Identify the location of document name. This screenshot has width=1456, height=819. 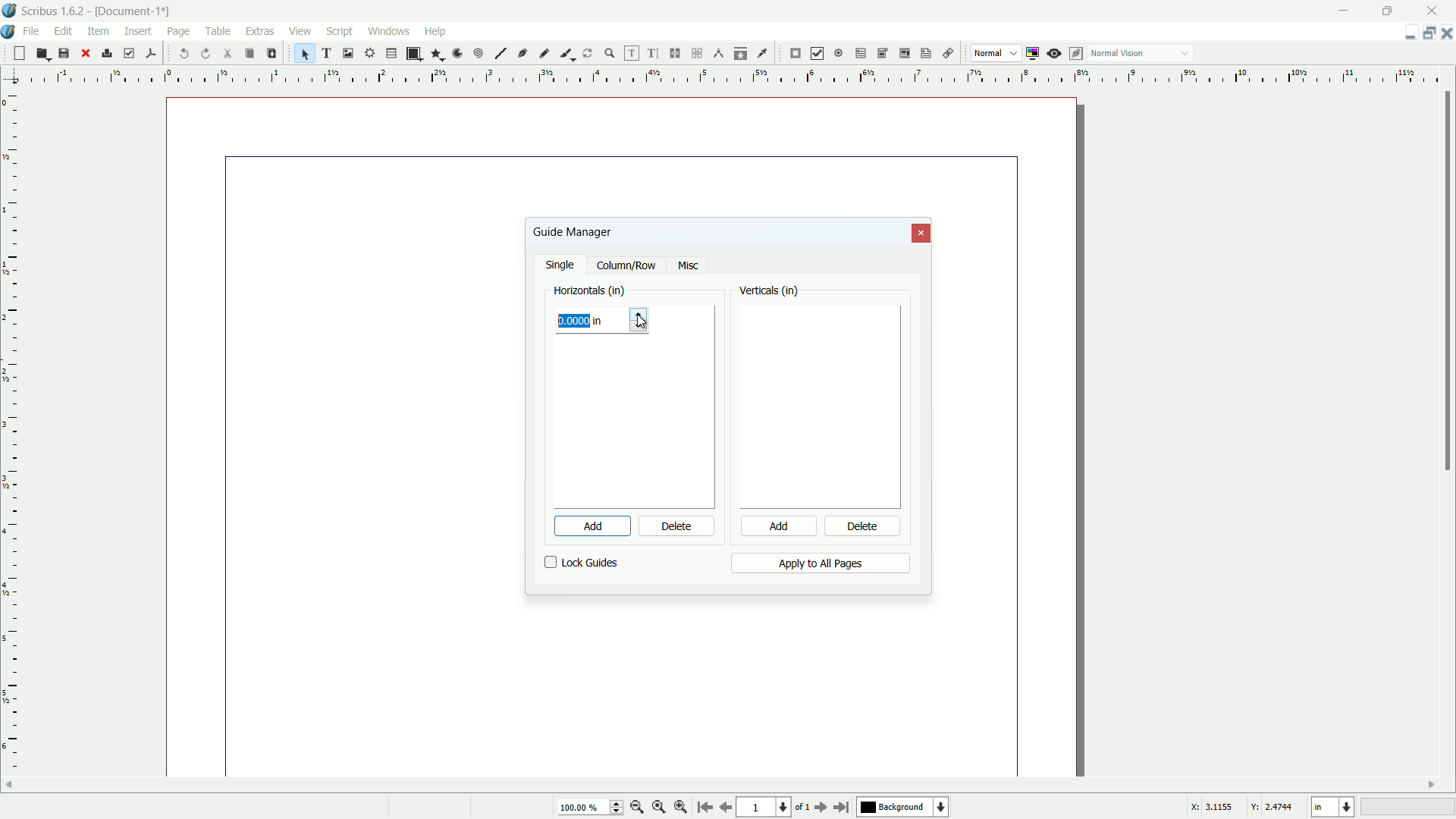
(136, 11).